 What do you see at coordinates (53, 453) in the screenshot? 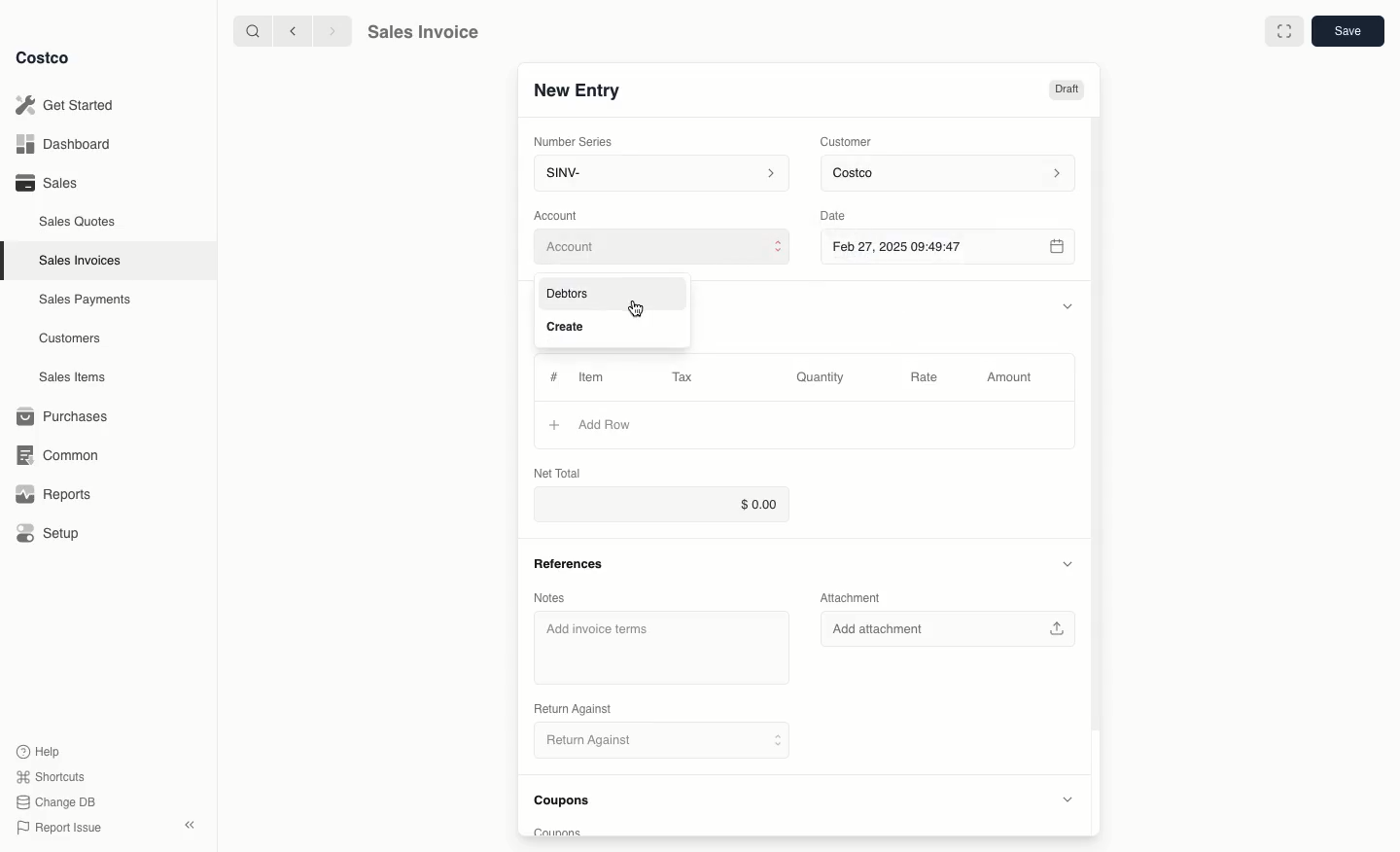
I see `Common` at bounding box center [53, 453].